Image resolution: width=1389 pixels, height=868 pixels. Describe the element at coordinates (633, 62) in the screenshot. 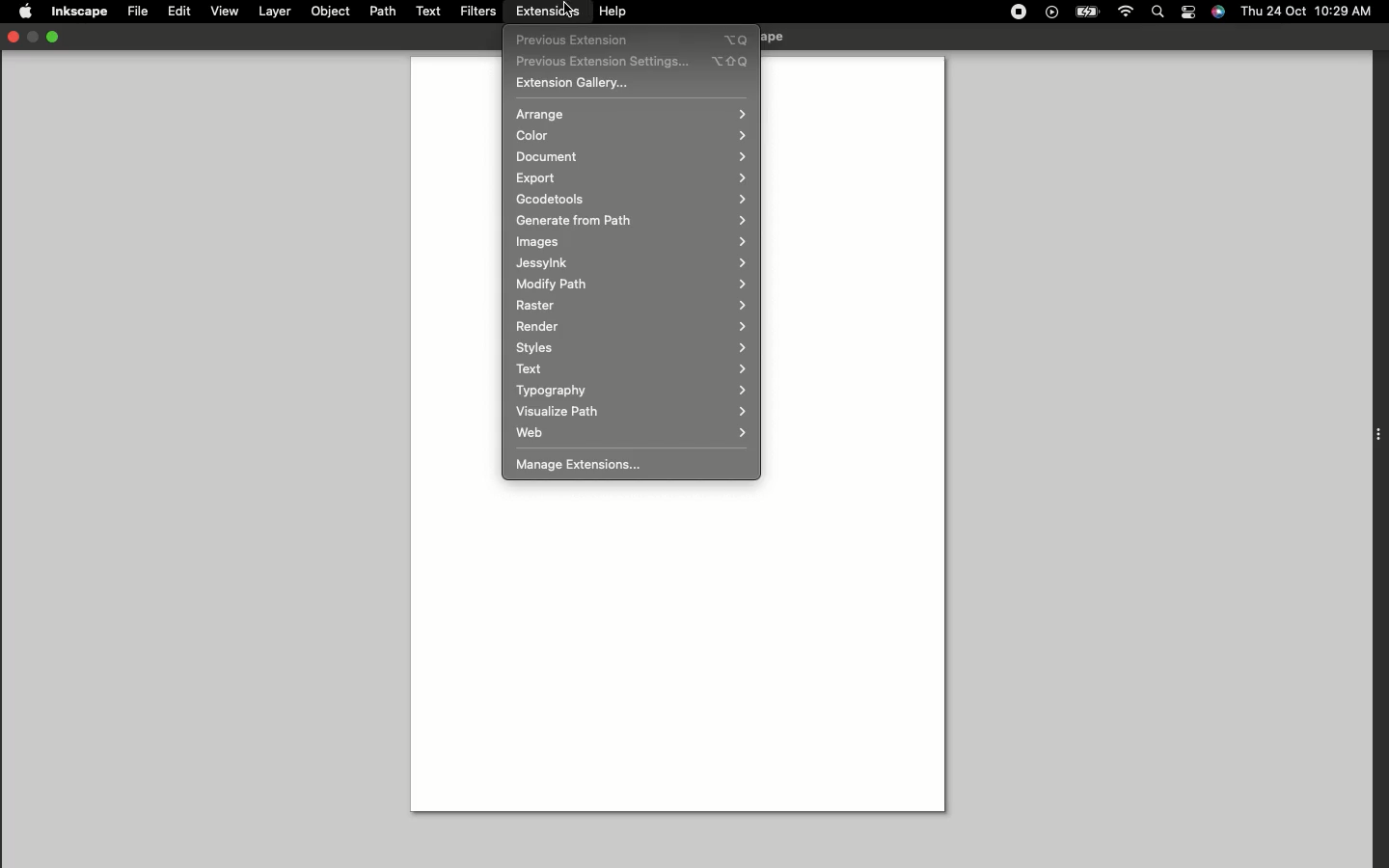

I see `Previous extension settings` at that location.